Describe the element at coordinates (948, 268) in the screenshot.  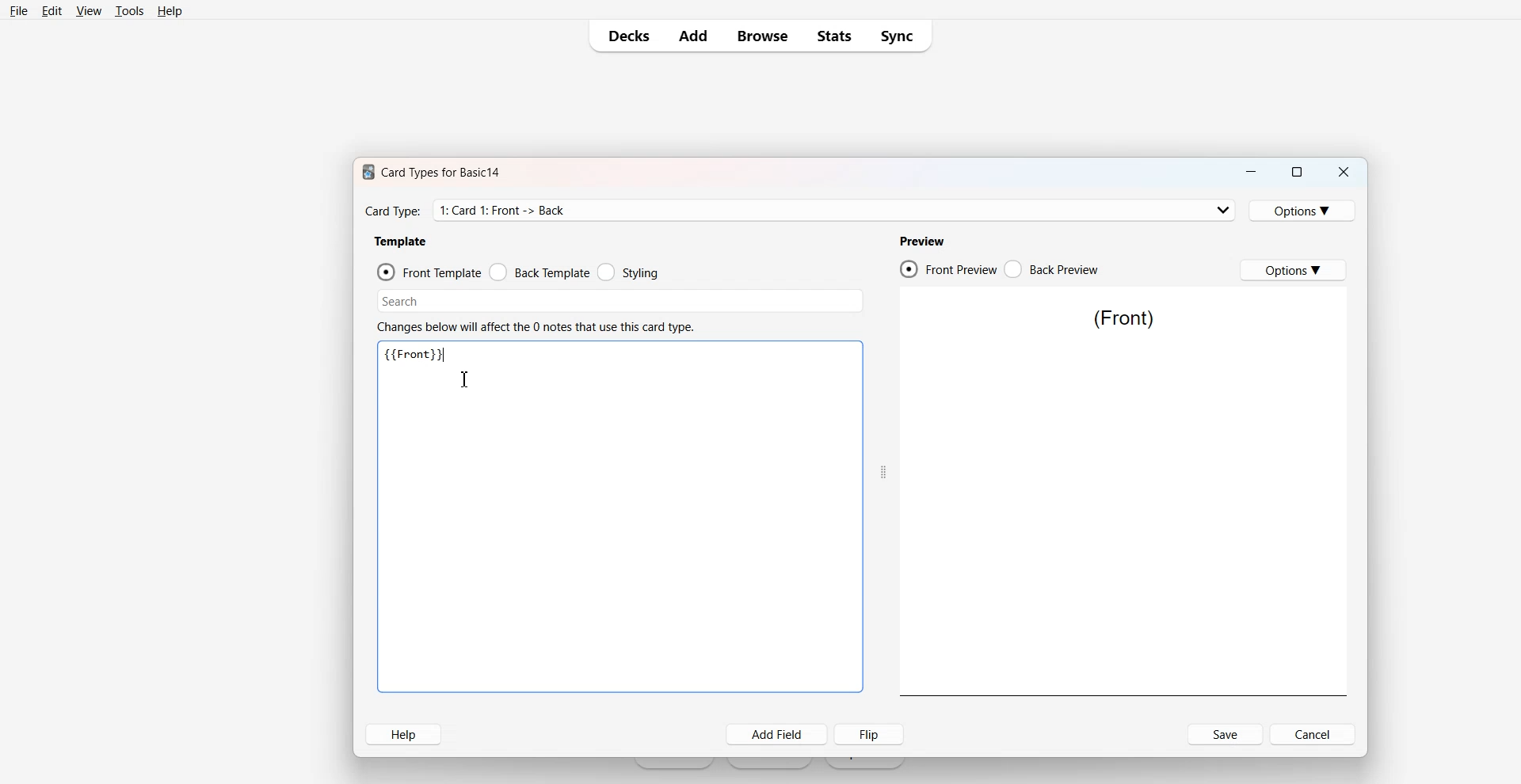
I see `Front Preview` at that location.